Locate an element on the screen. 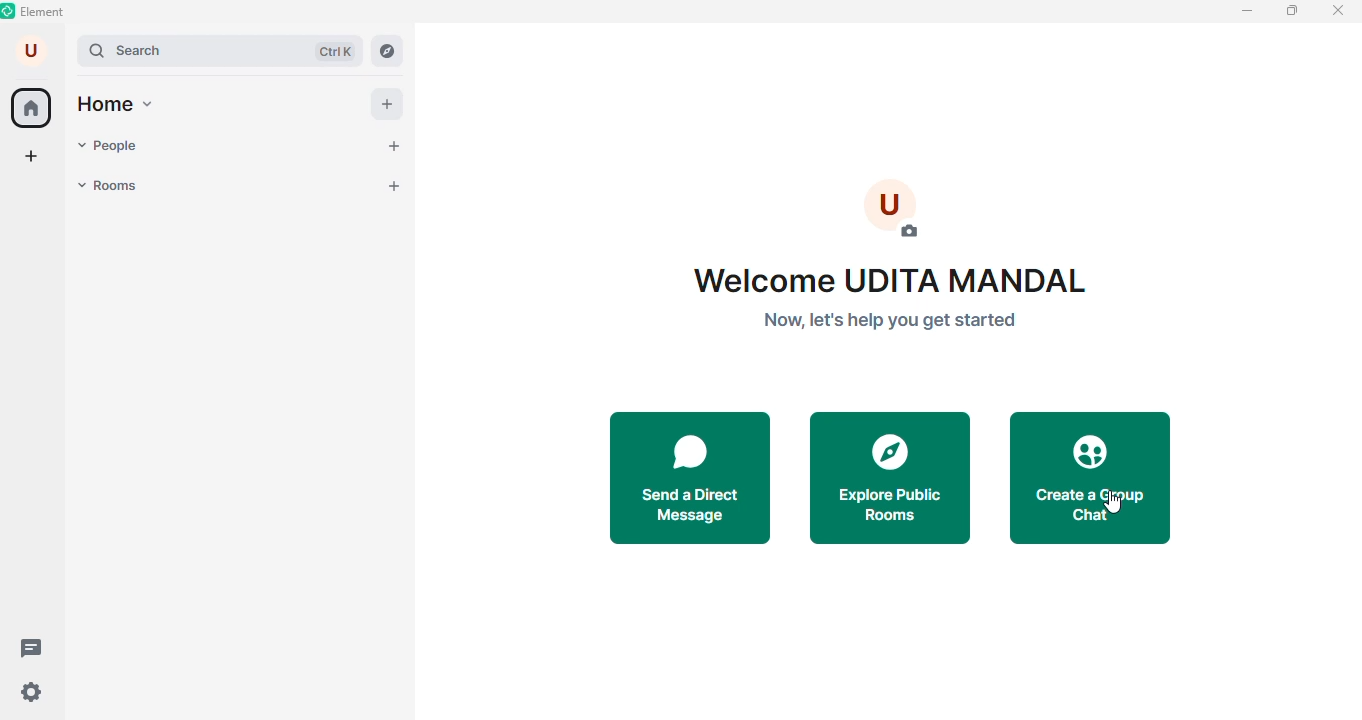  people is located at coordinates (112, 147).